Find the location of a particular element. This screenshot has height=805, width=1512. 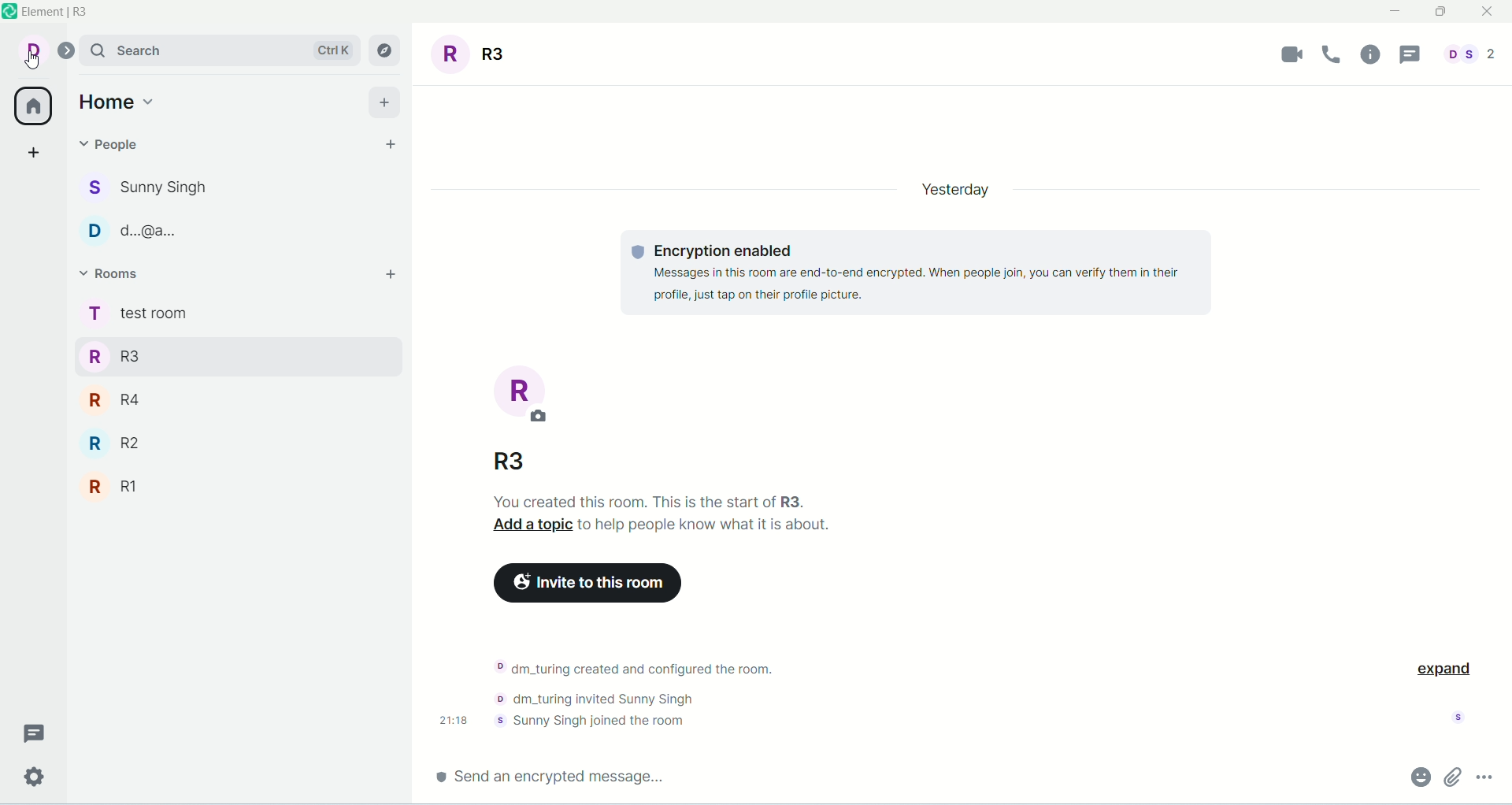

R1 is located at coordinates (212, 488).